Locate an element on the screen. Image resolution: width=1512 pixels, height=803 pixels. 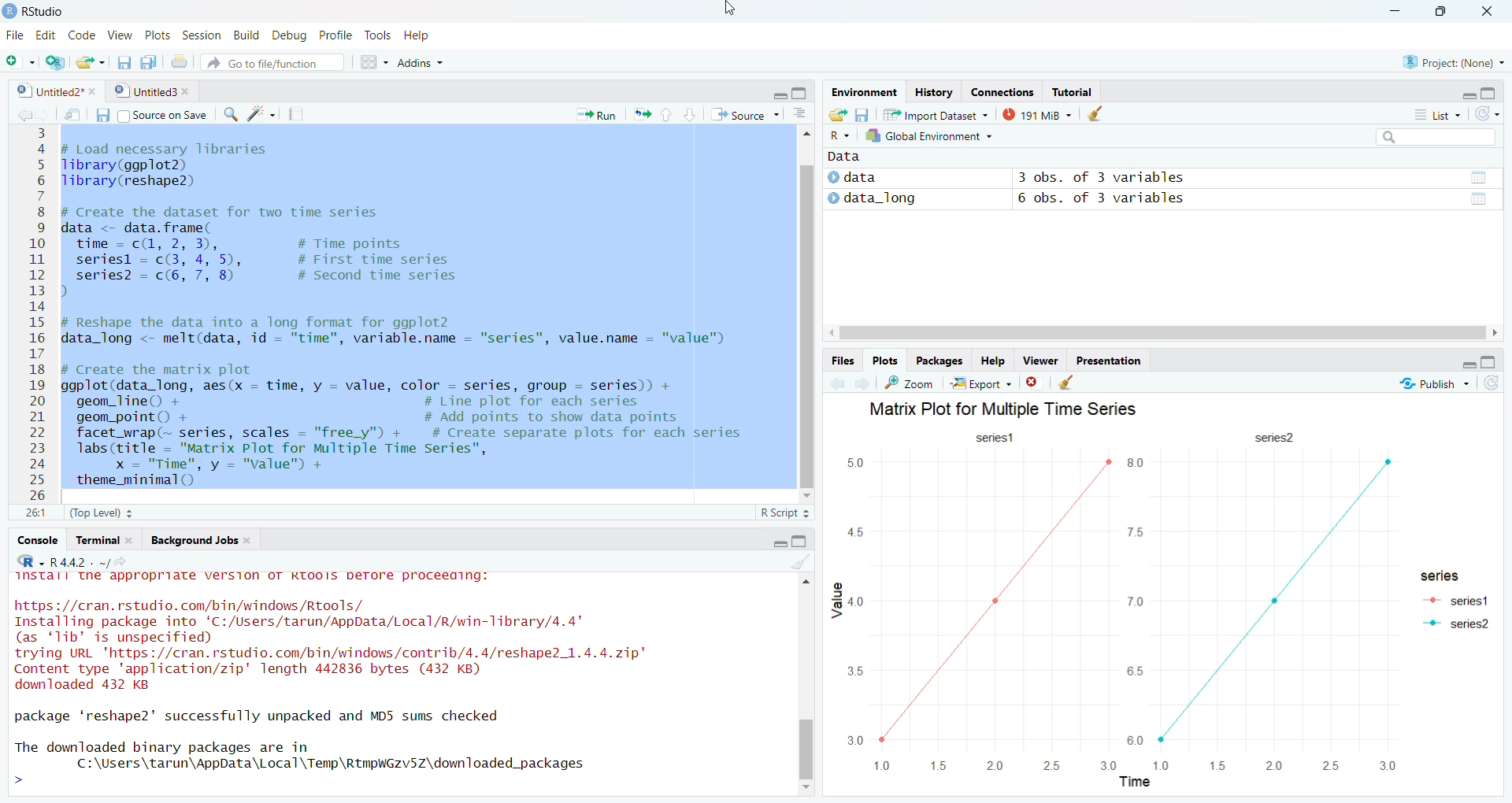
Scroll up is located at coordinates (808, 586).